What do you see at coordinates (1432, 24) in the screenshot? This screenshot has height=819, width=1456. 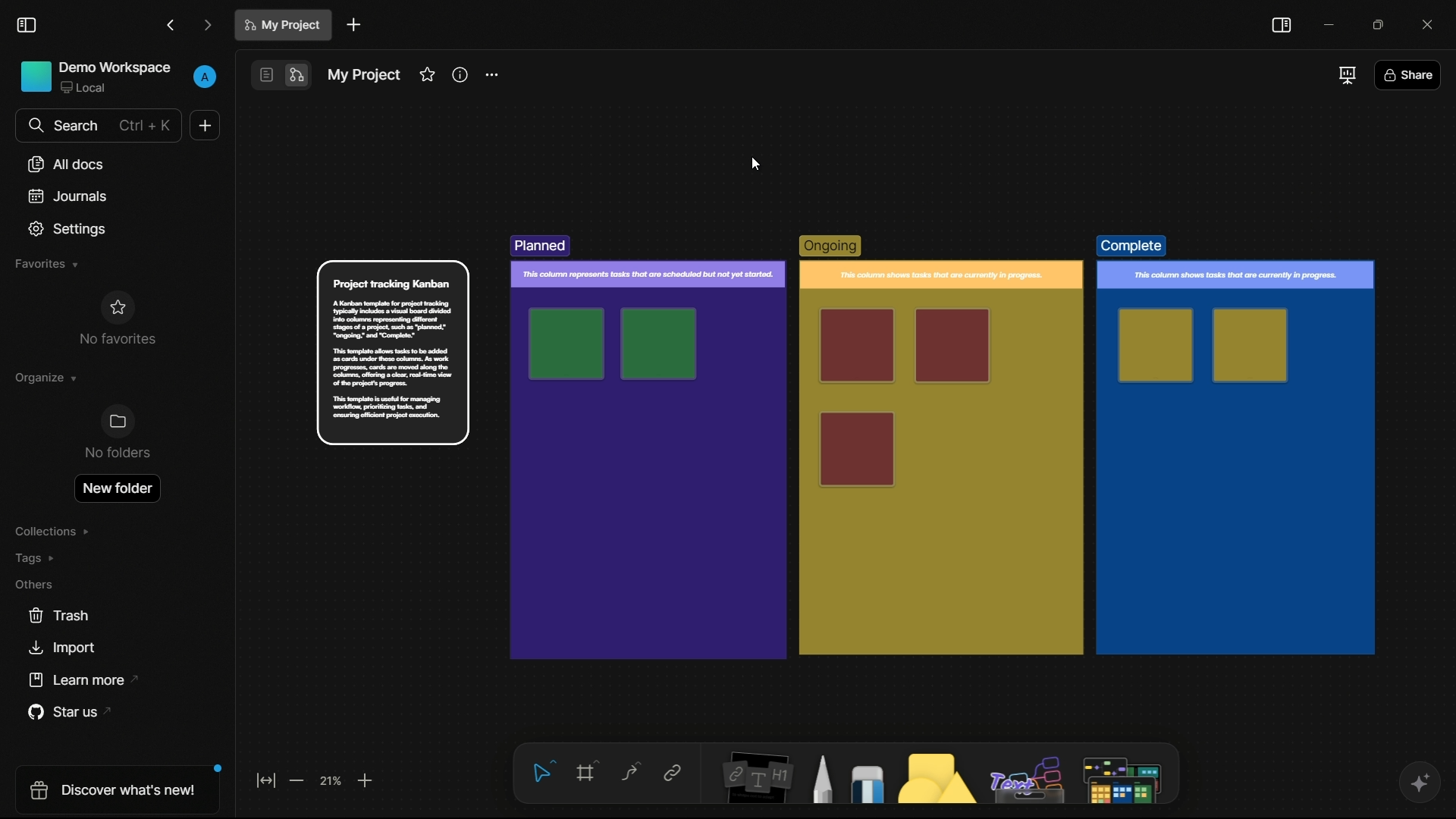 I see `close app` at bounding box center [1432, 24].